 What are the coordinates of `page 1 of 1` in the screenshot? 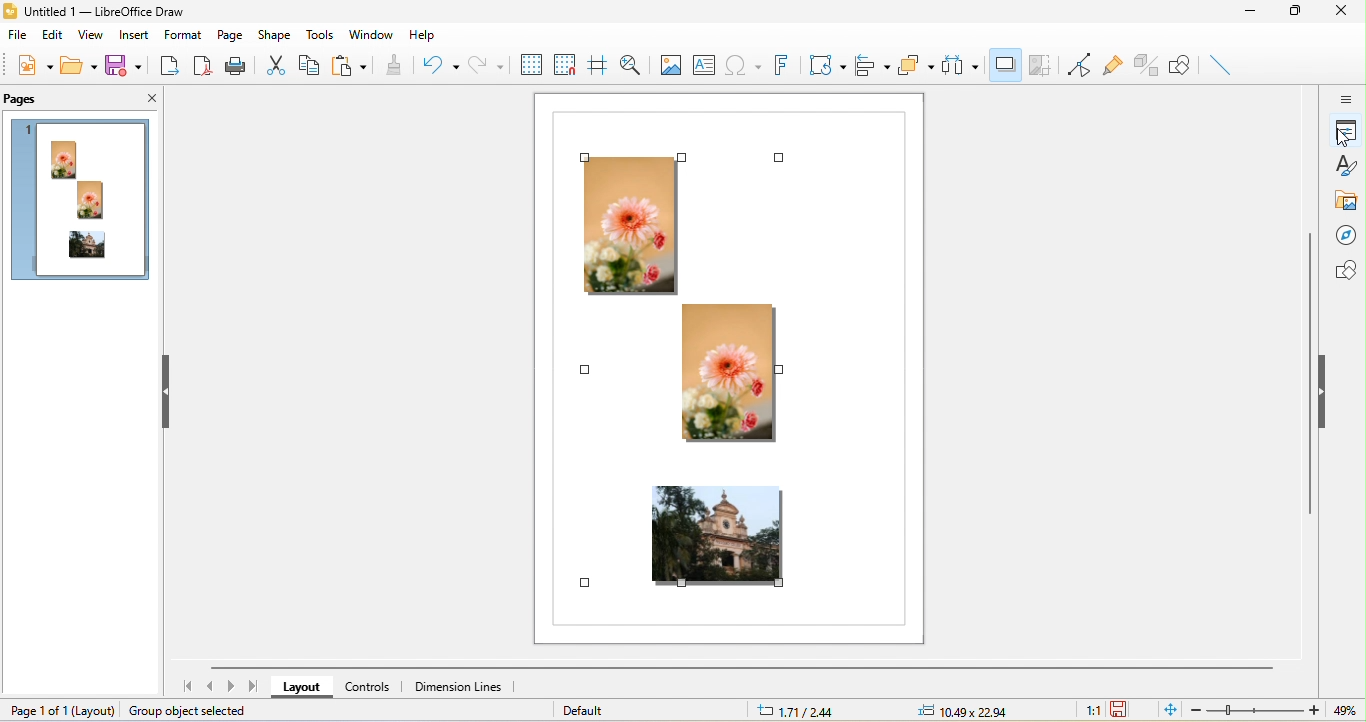 It's located at (53, 709).